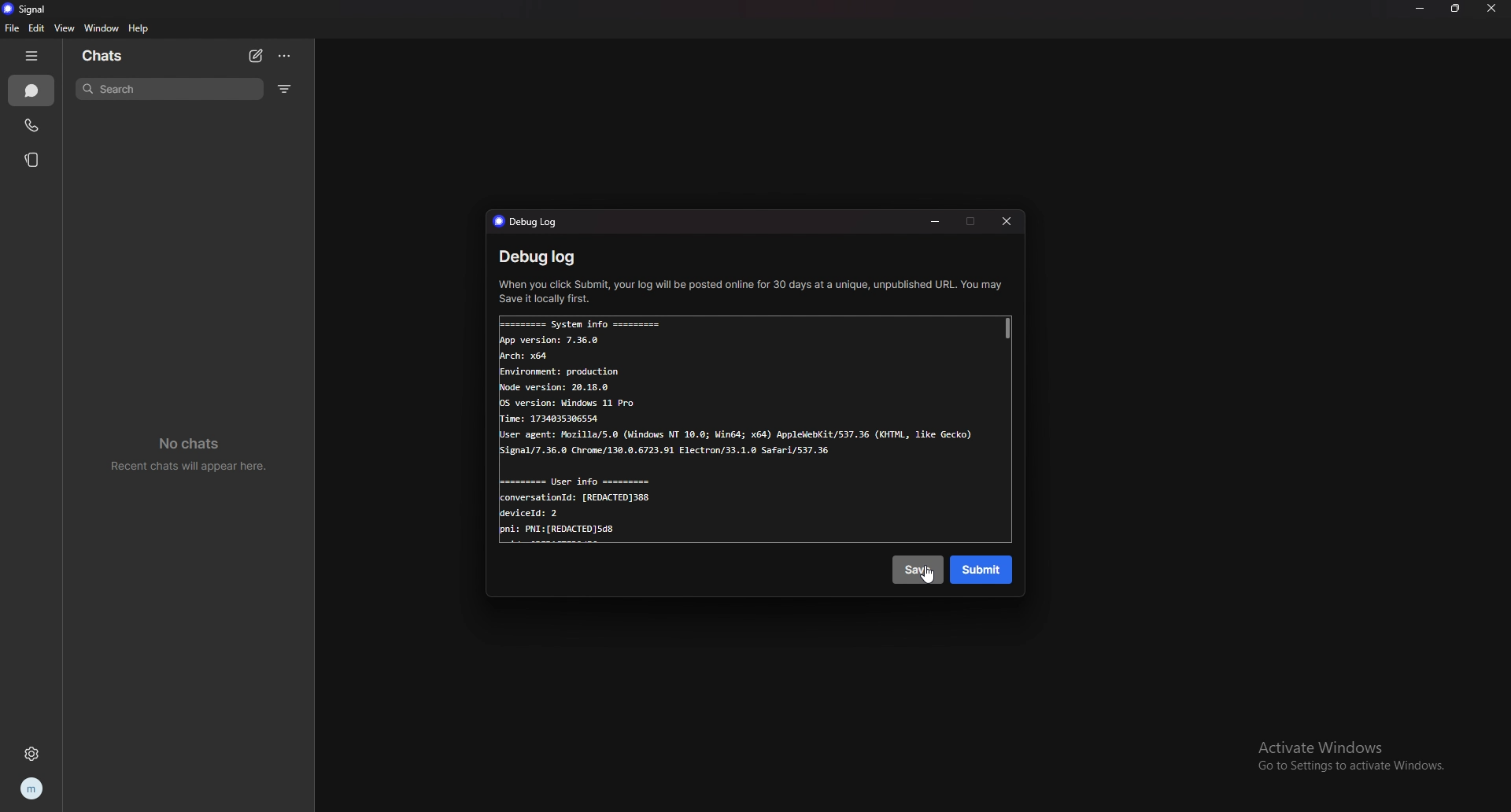 The width and height of the screenshot is (1511, 812). Describe the element at coordinates (256, 55) in the screenshot. I see `newchat` at that location.